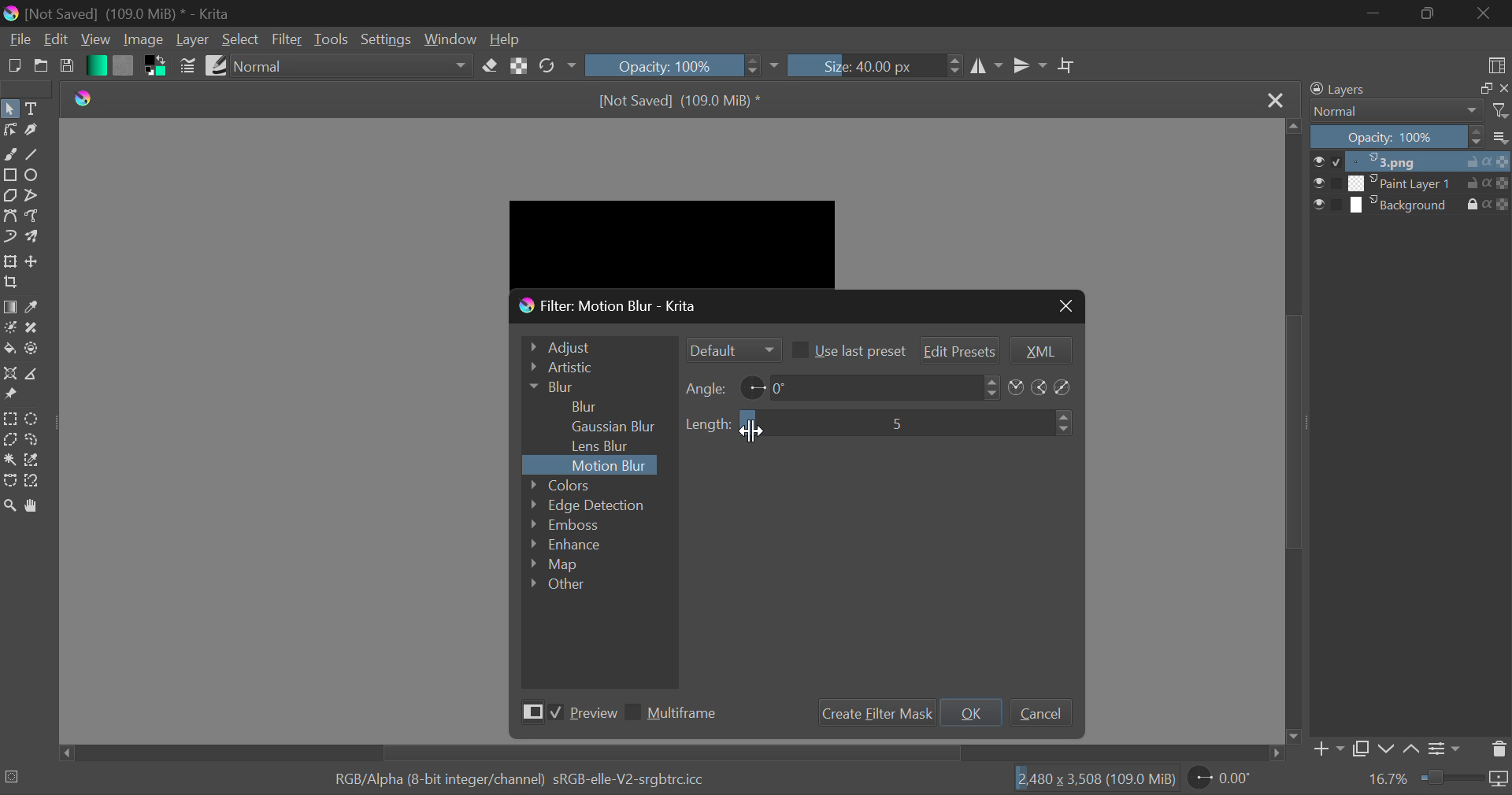 The image size is (1512, 795). I want to click on Cancel, so click(1040, 712).